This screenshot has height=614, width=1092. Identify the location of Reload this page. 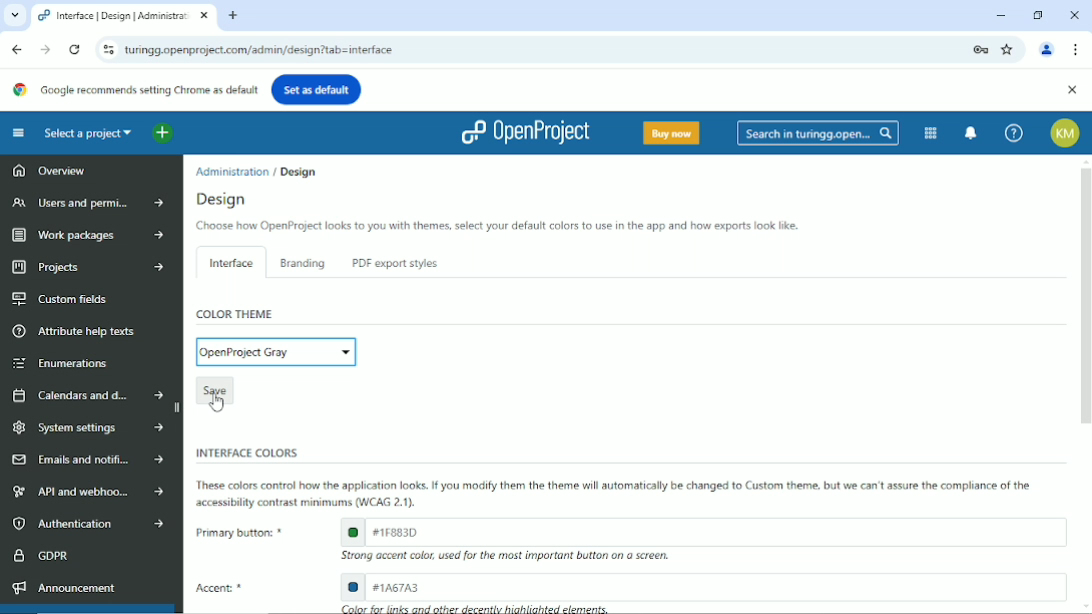
(74, 50).